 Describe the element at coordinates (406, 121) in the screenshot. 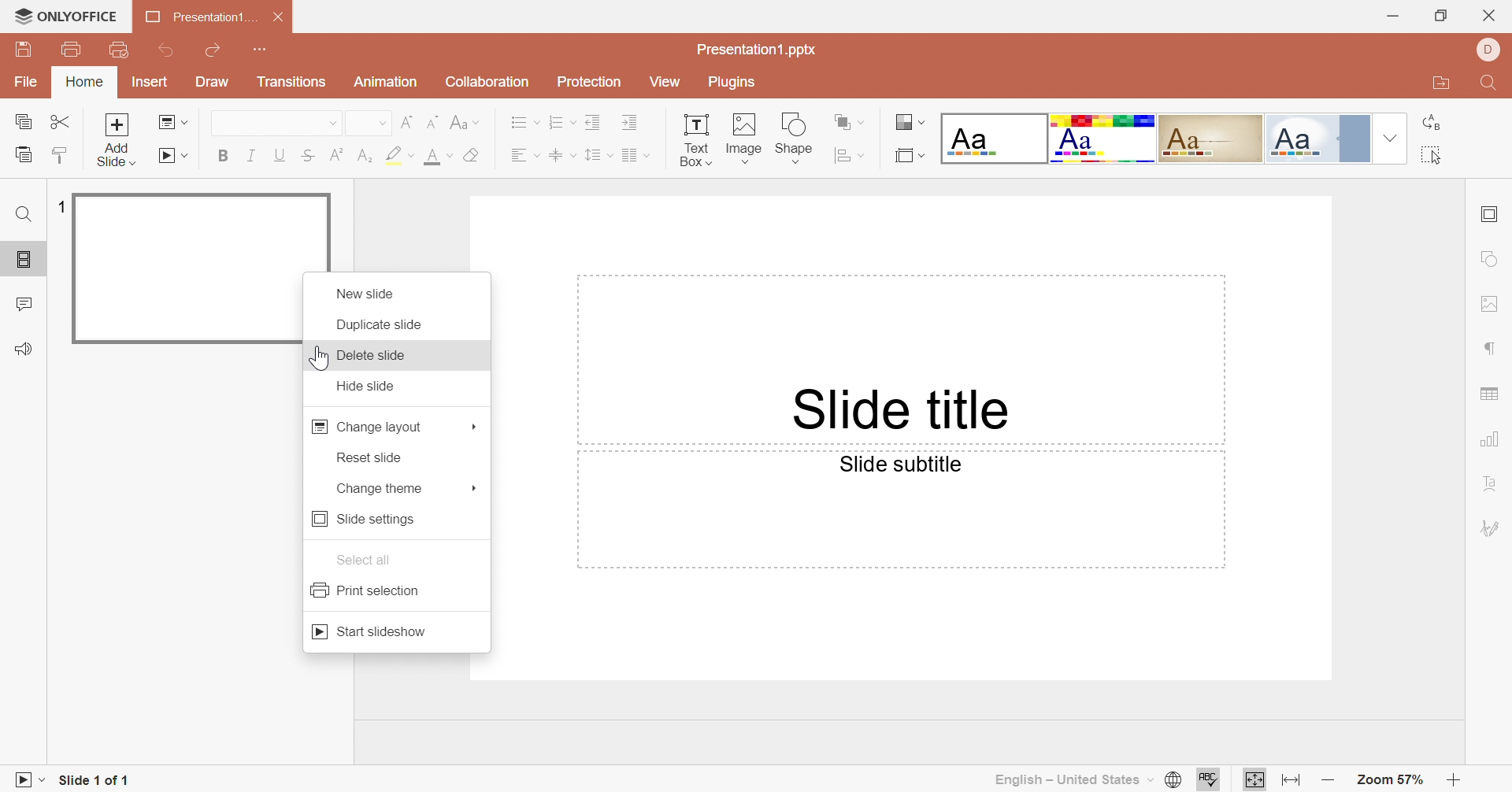

I see `Increment font size` at that location.